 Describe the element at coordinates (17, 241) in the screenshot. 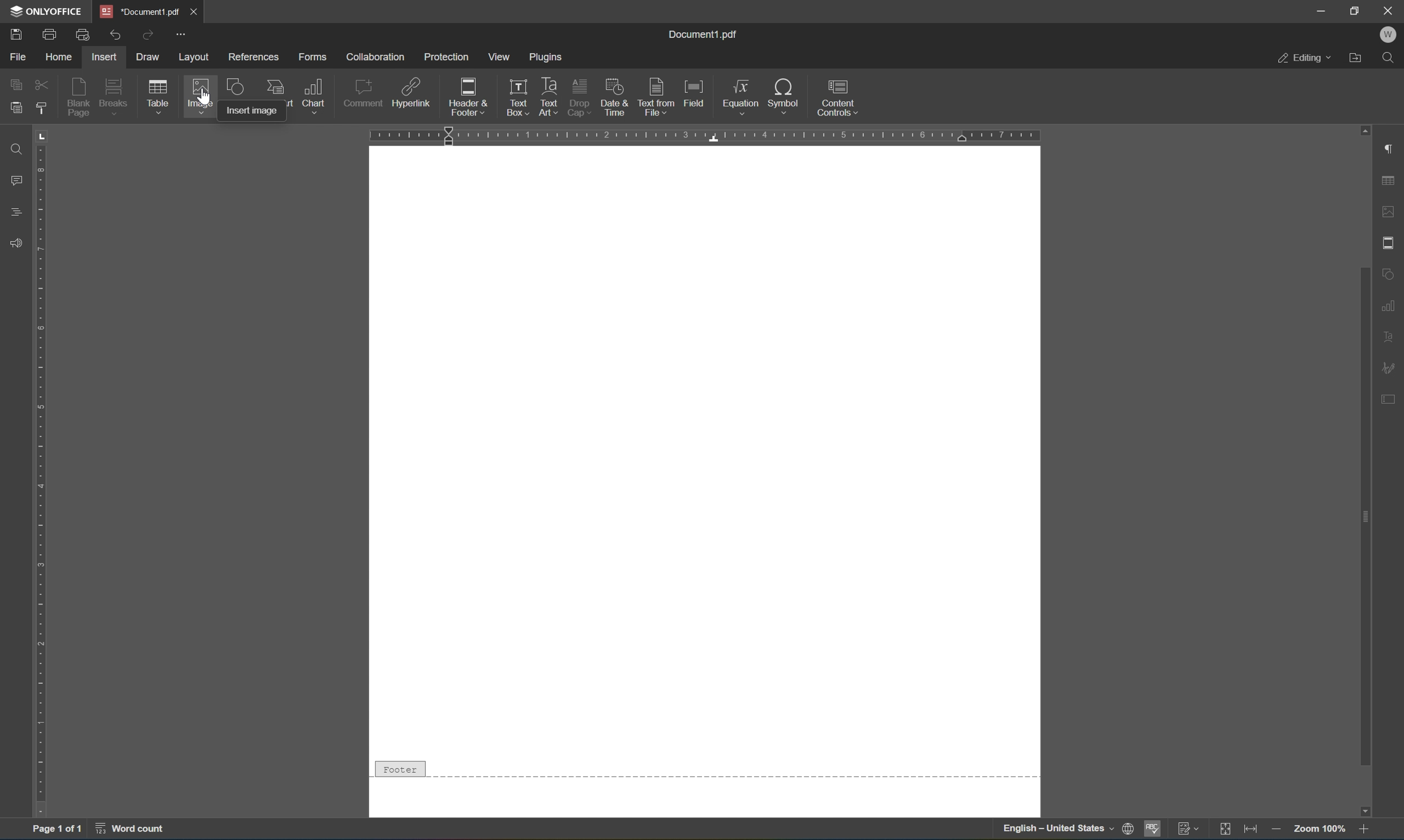

I see `feedback & support` at that location.